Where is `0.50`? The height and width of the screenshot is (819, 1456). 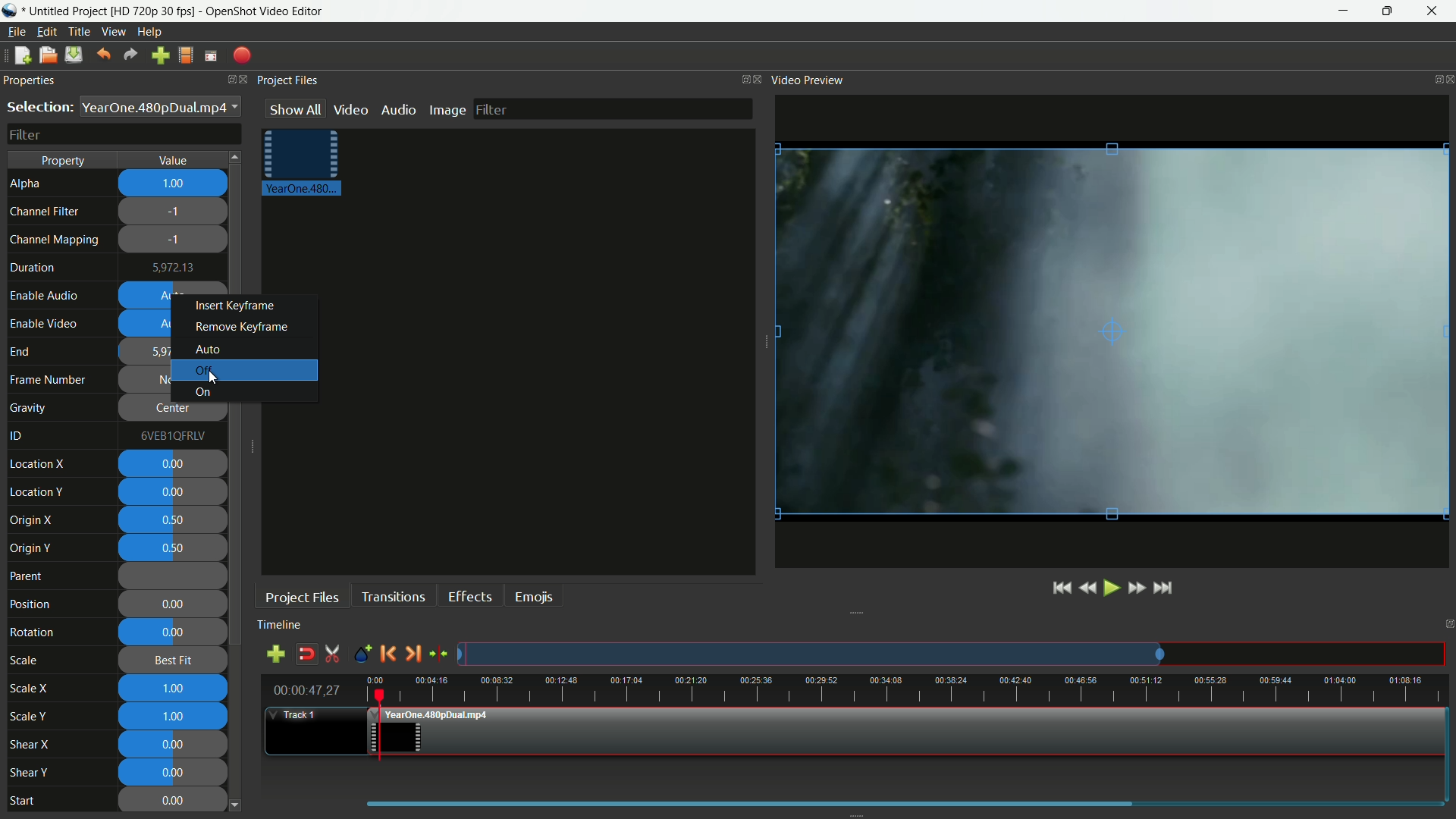
0.50 is located at coordinates (176, 519).